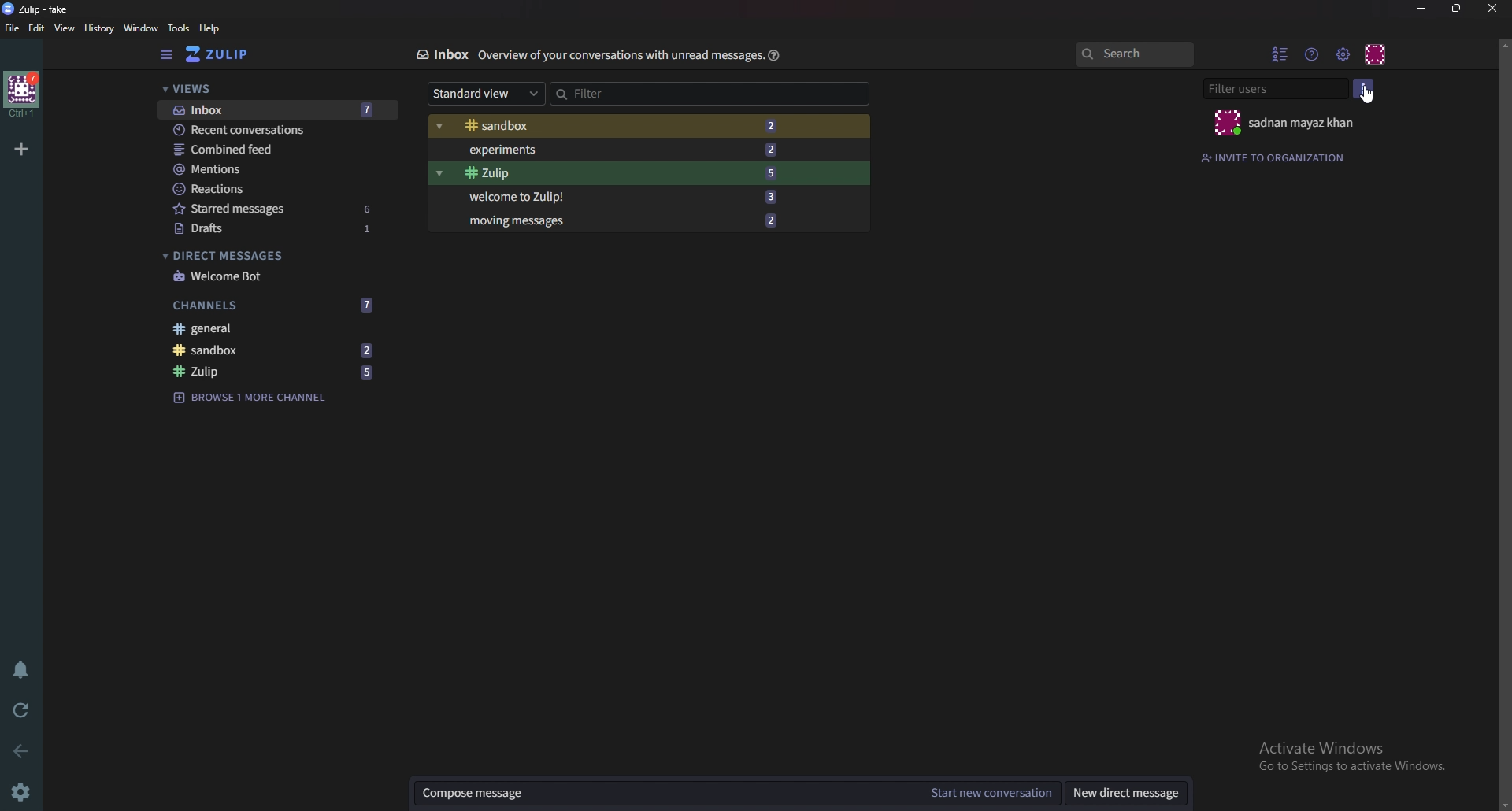 The width and height of the screenshot is (1512, 811). What do you see at coordinates (1377, 52) in the screenshot?
I see `personal menu` at bounding box center [1377, 52].